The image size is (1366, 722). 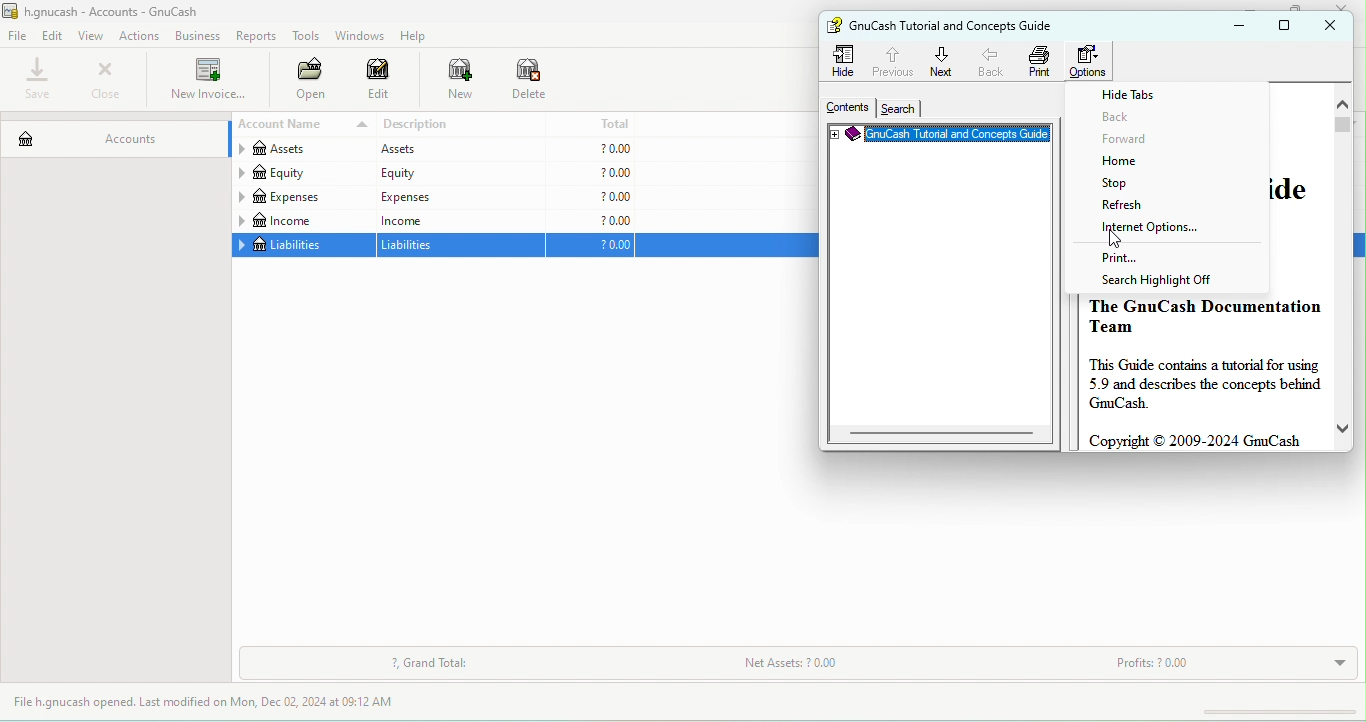 I want to click on bussiness, so click(x=198, y=36).